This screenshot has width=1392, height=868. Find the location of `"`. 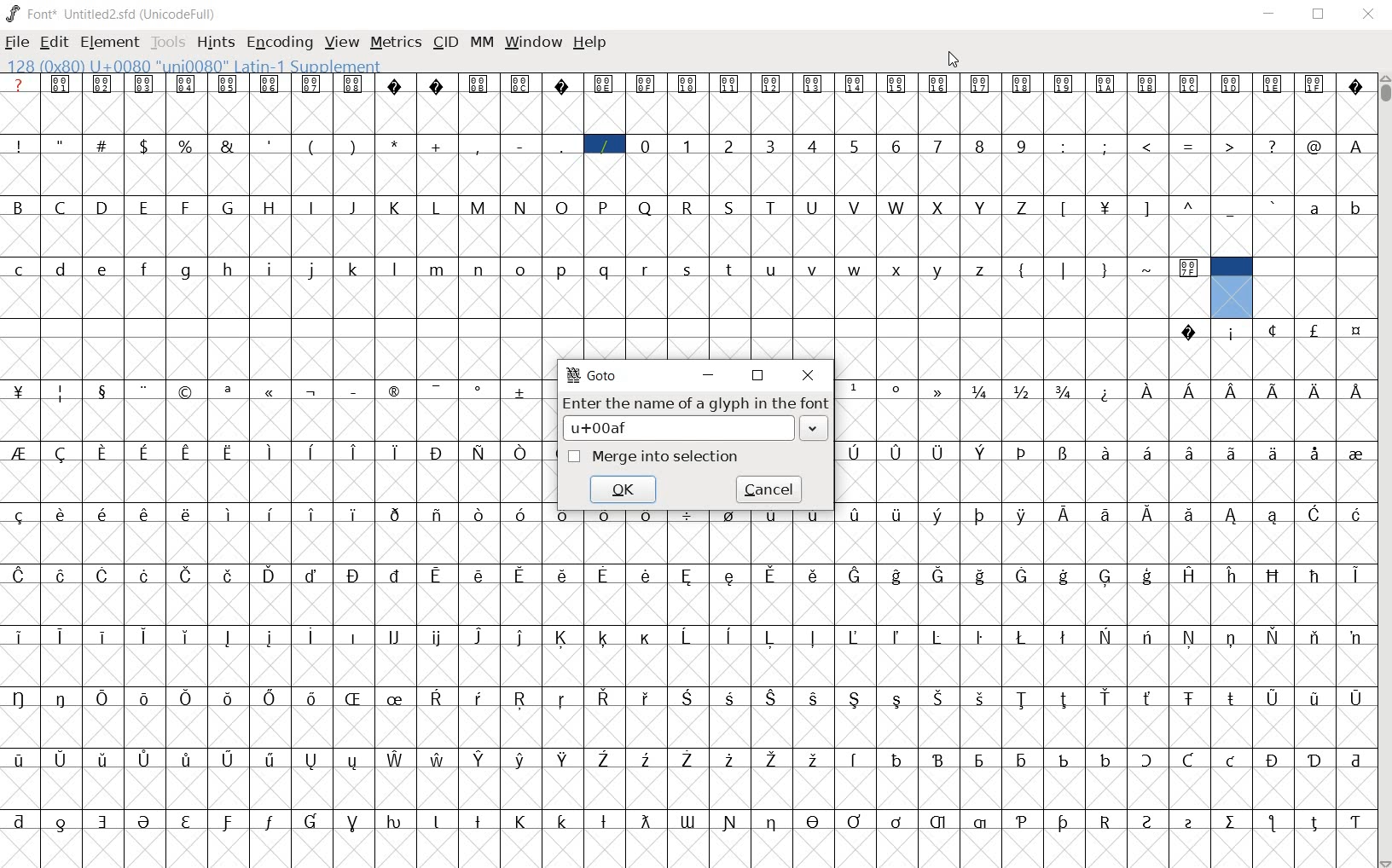

" is located at coordinates (62, 146).